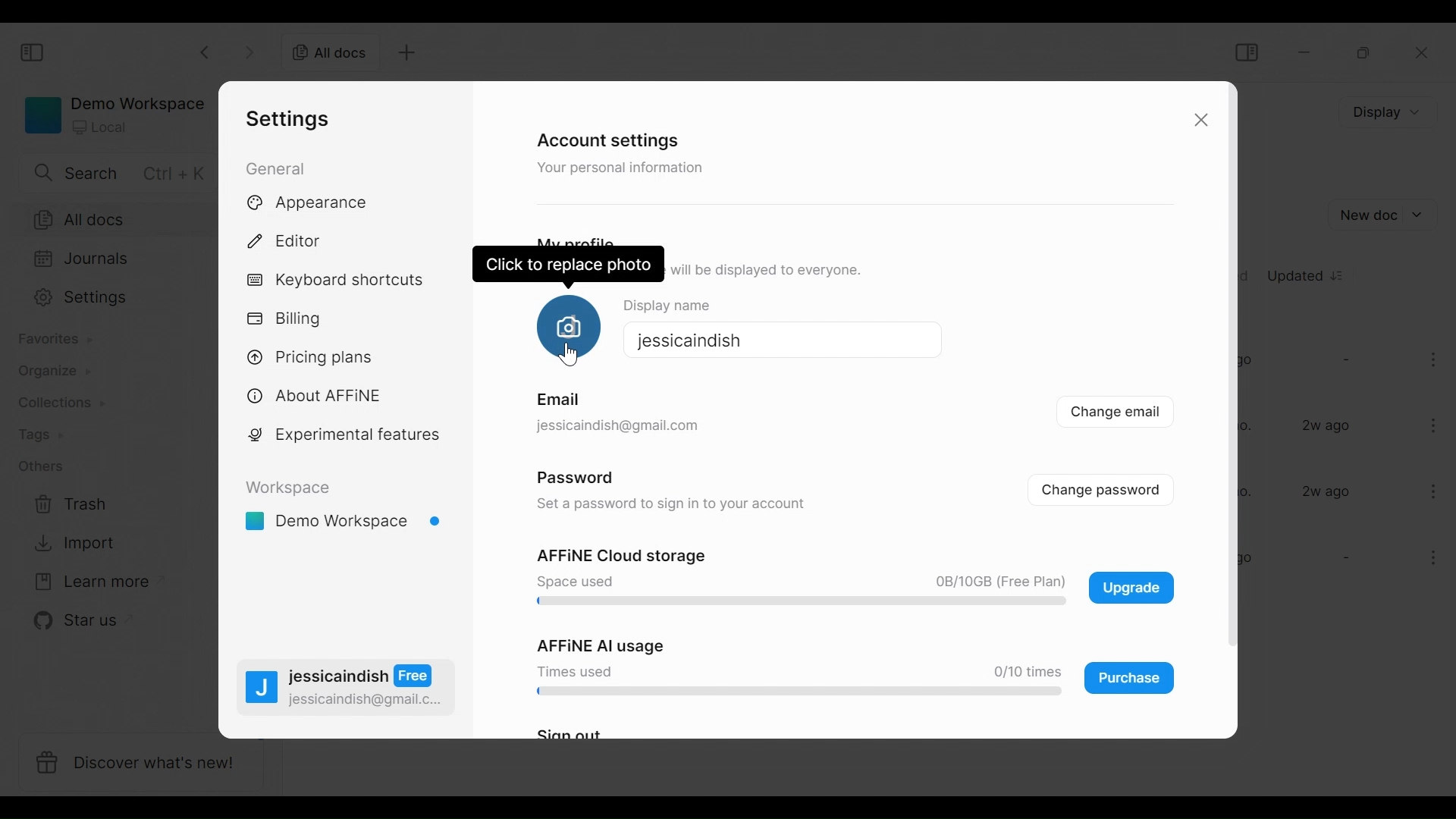 This screenshot has width=1456, height=819. Describe the element at coordinates (42, 468) in the screenshot. I see `Others` at that location.